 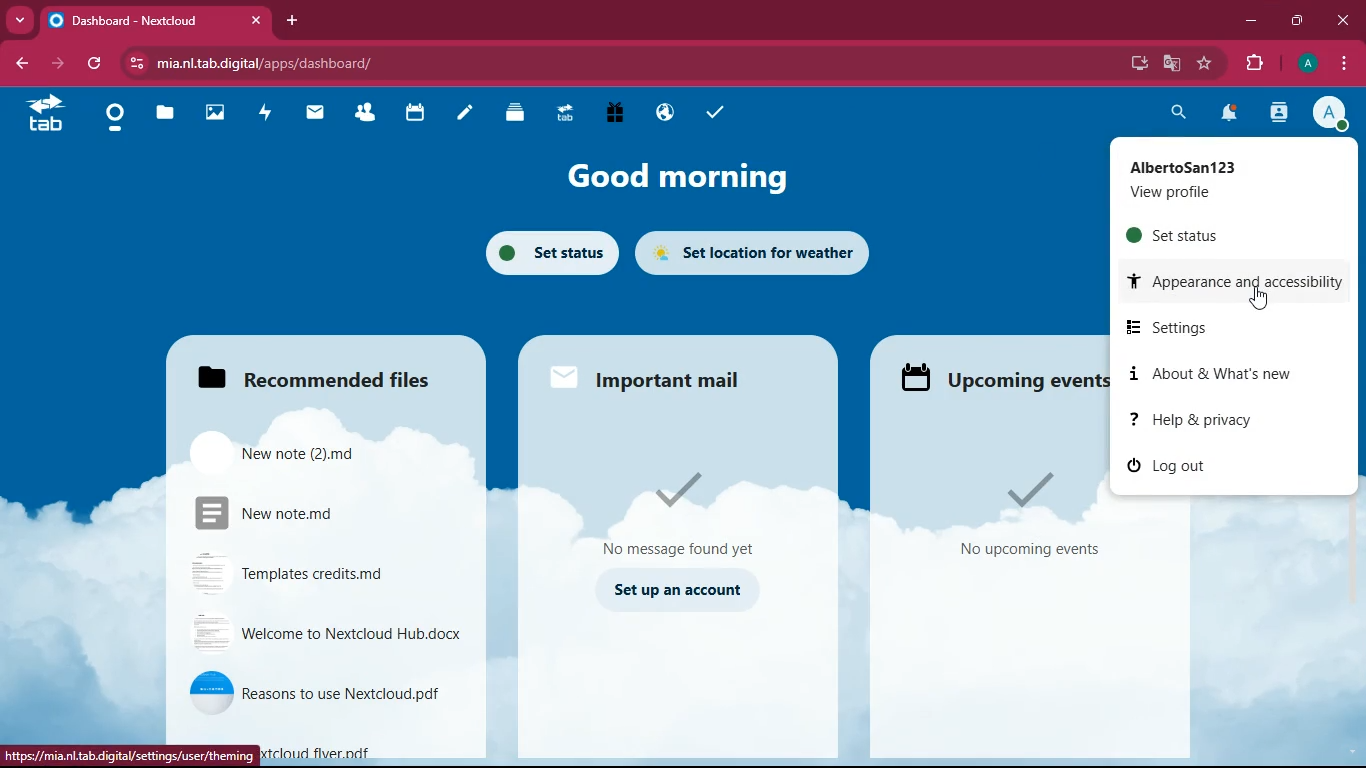 What do you see at coordinates (1281, 115) in the screenshot?
I see `activity` at bounding box center [1281, 115].